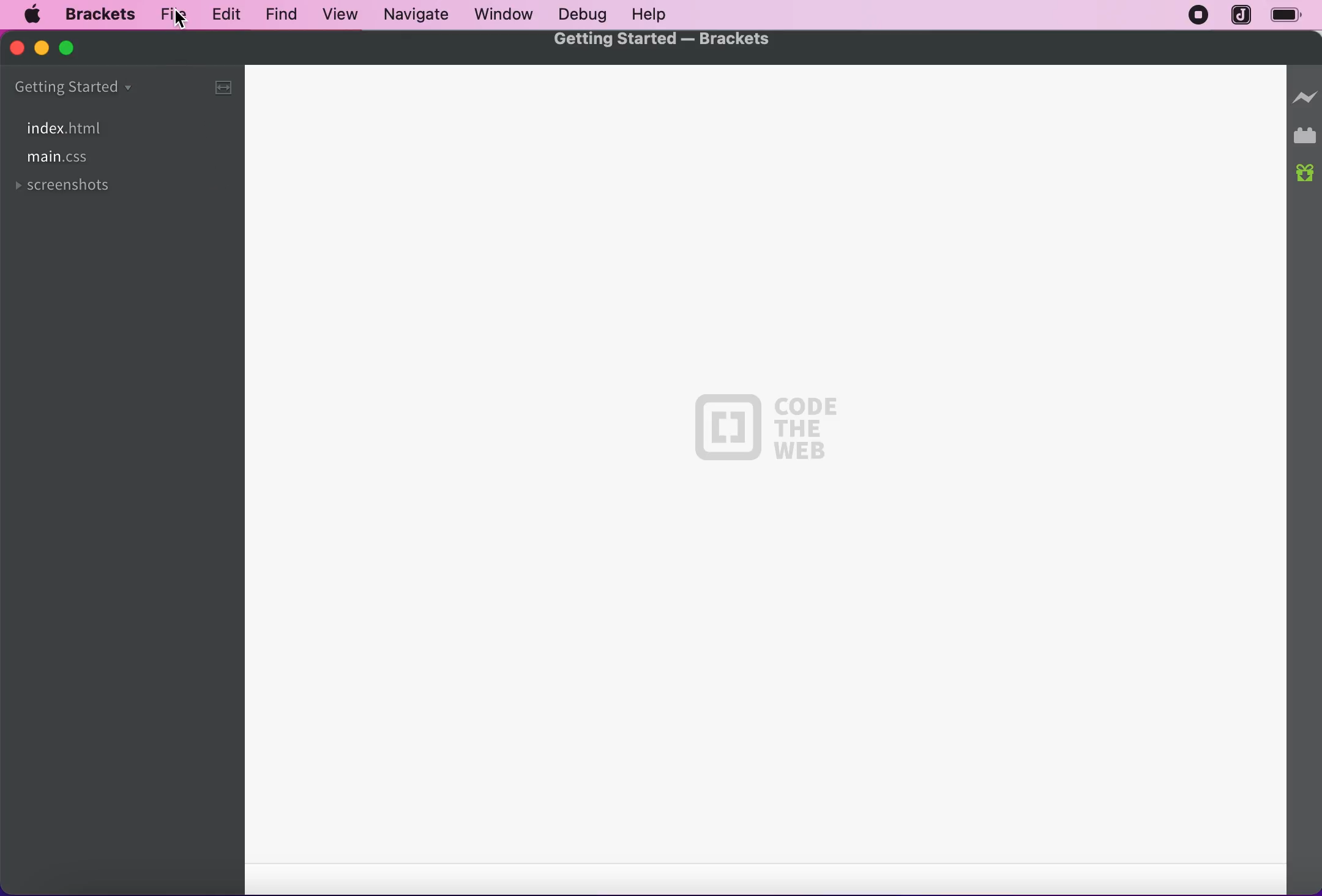 This screenshot has height=896, width=1322. What do you see at coordinates (666, 40) in the screenshot?
I see `getting started - brackets` at bounding box center [666, 40].